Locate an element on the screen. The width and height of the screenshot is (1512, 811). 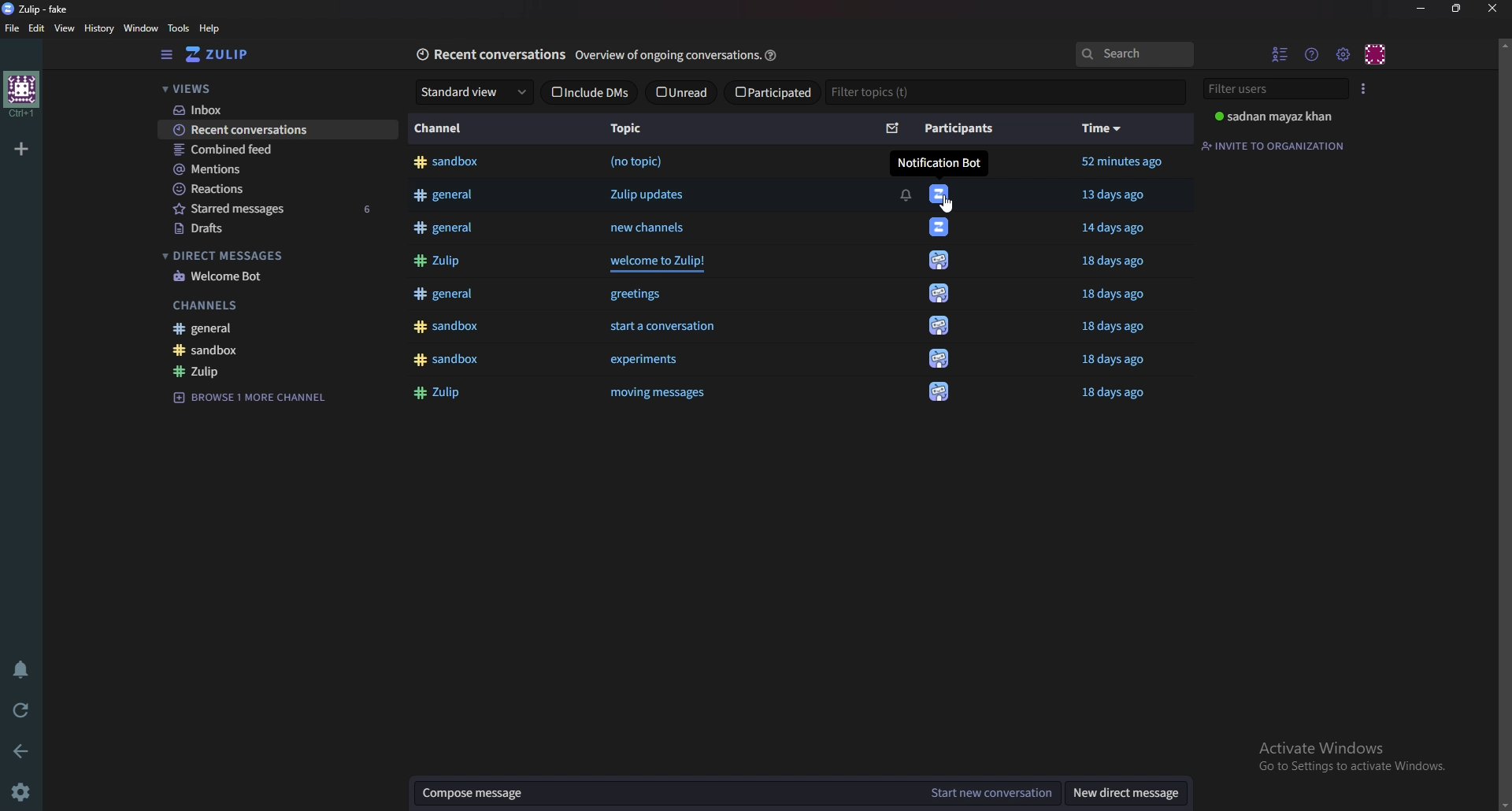
Starred messages is located at coordinates (272, 209).